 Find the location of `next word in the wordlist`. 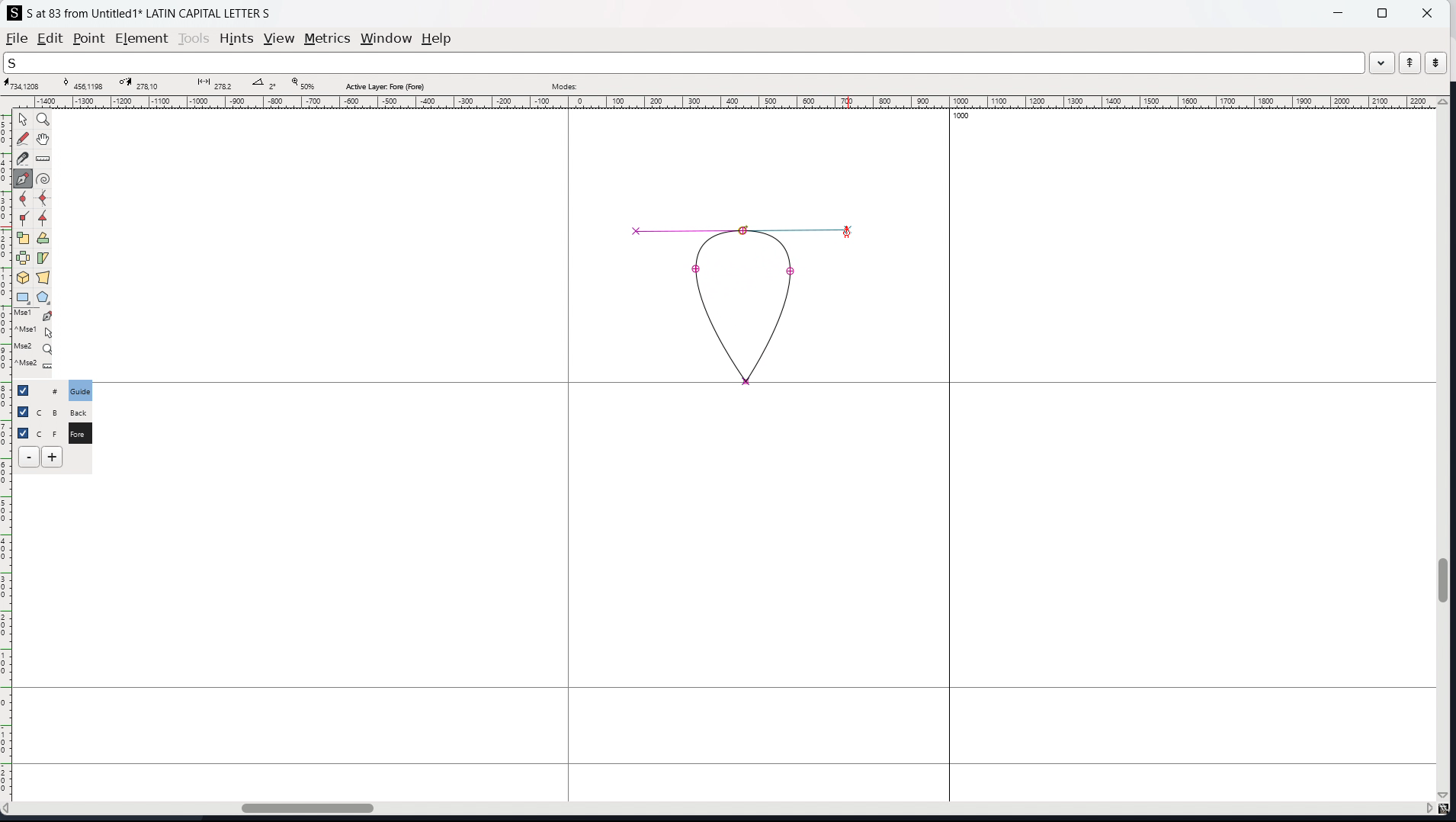

next word in the wordlist is located at coordinates (1435, 62).